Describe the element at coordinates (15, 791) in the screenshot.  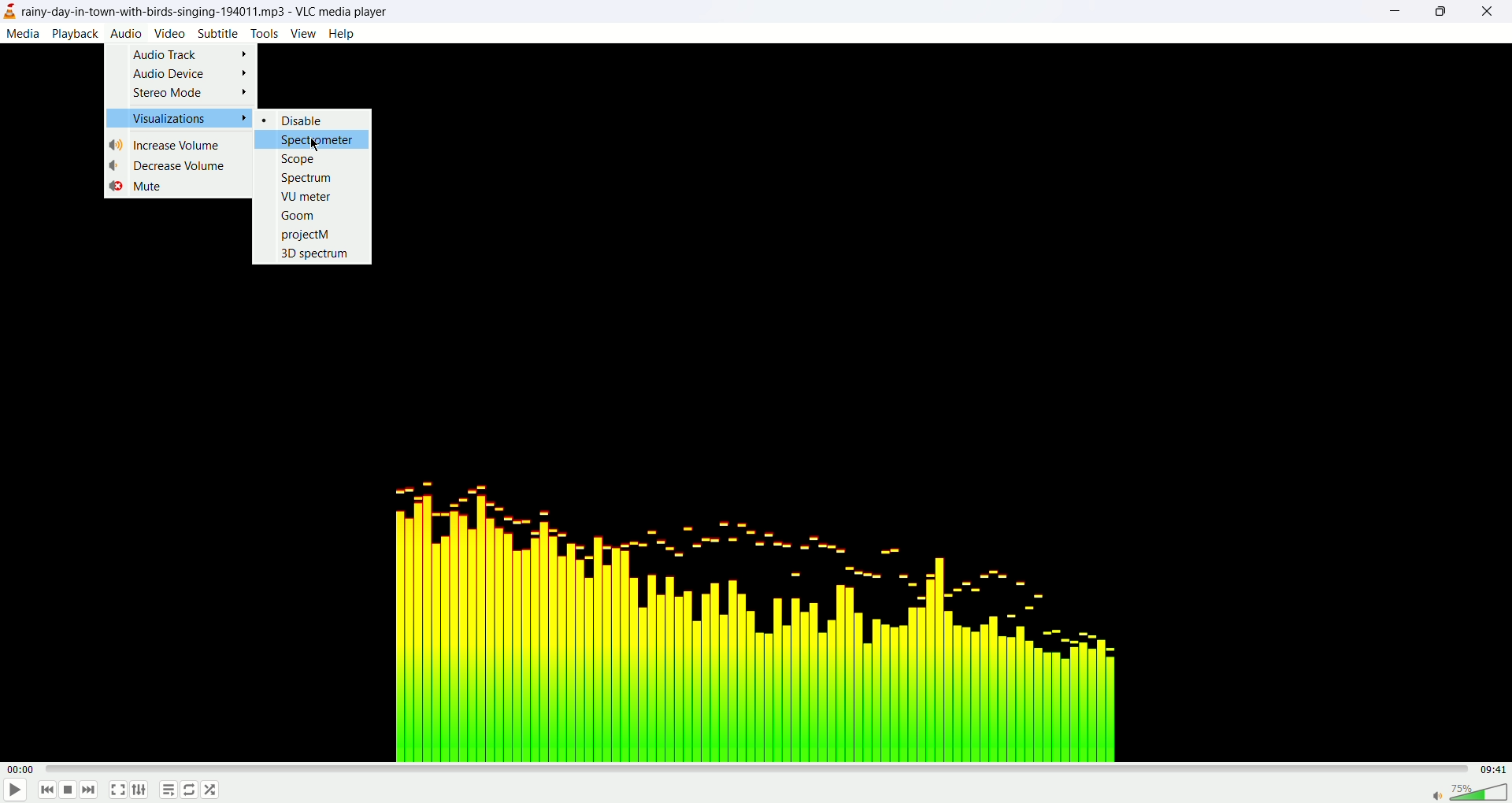
I see `play/pause` at that location.